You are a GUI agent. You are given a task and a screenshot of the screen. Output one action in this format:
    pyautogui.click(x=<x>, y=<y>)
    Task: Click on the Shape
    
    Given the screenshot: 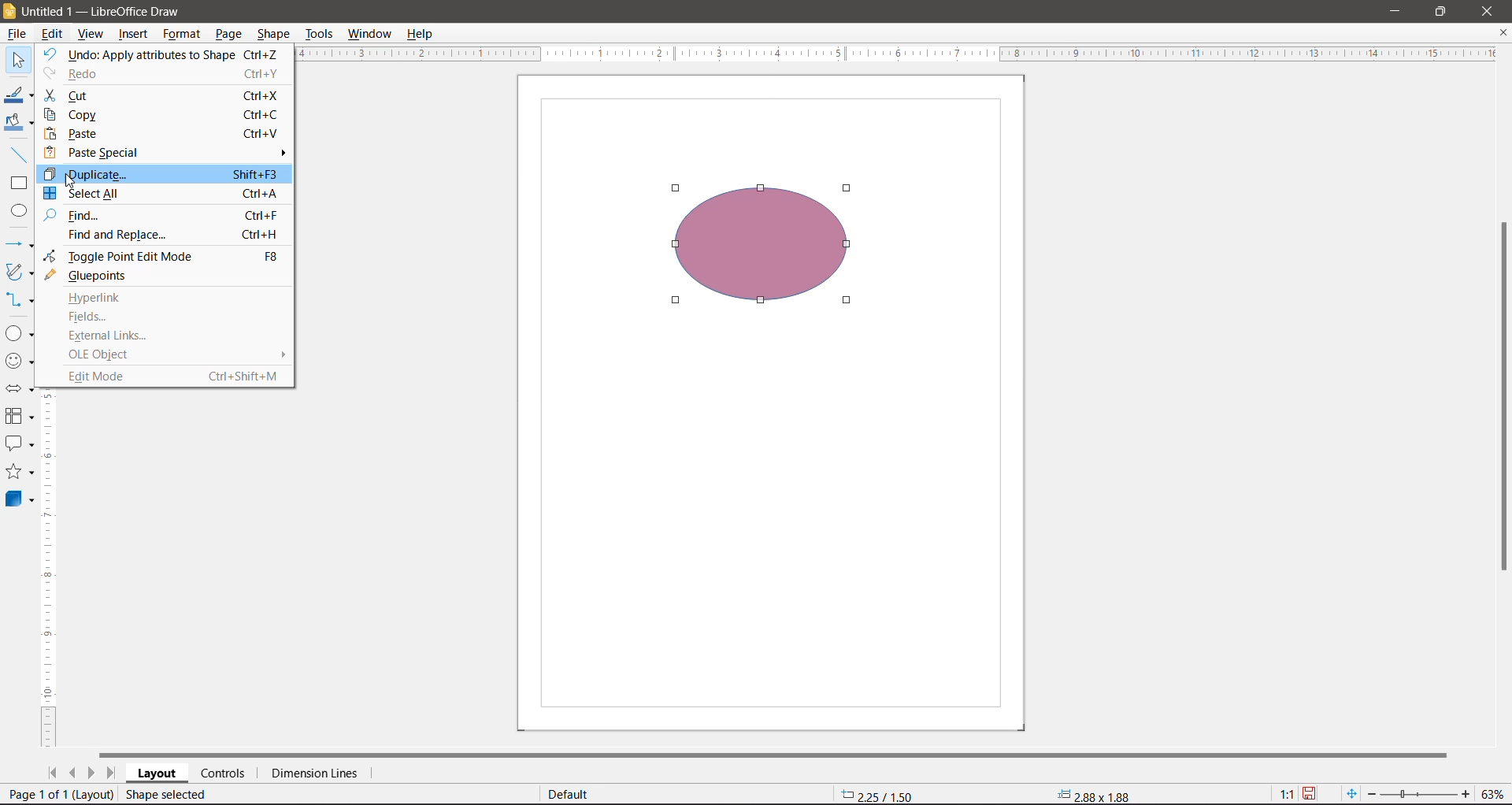 What is the action you would take?
    pyautogui.click(x=272, y=35)
    